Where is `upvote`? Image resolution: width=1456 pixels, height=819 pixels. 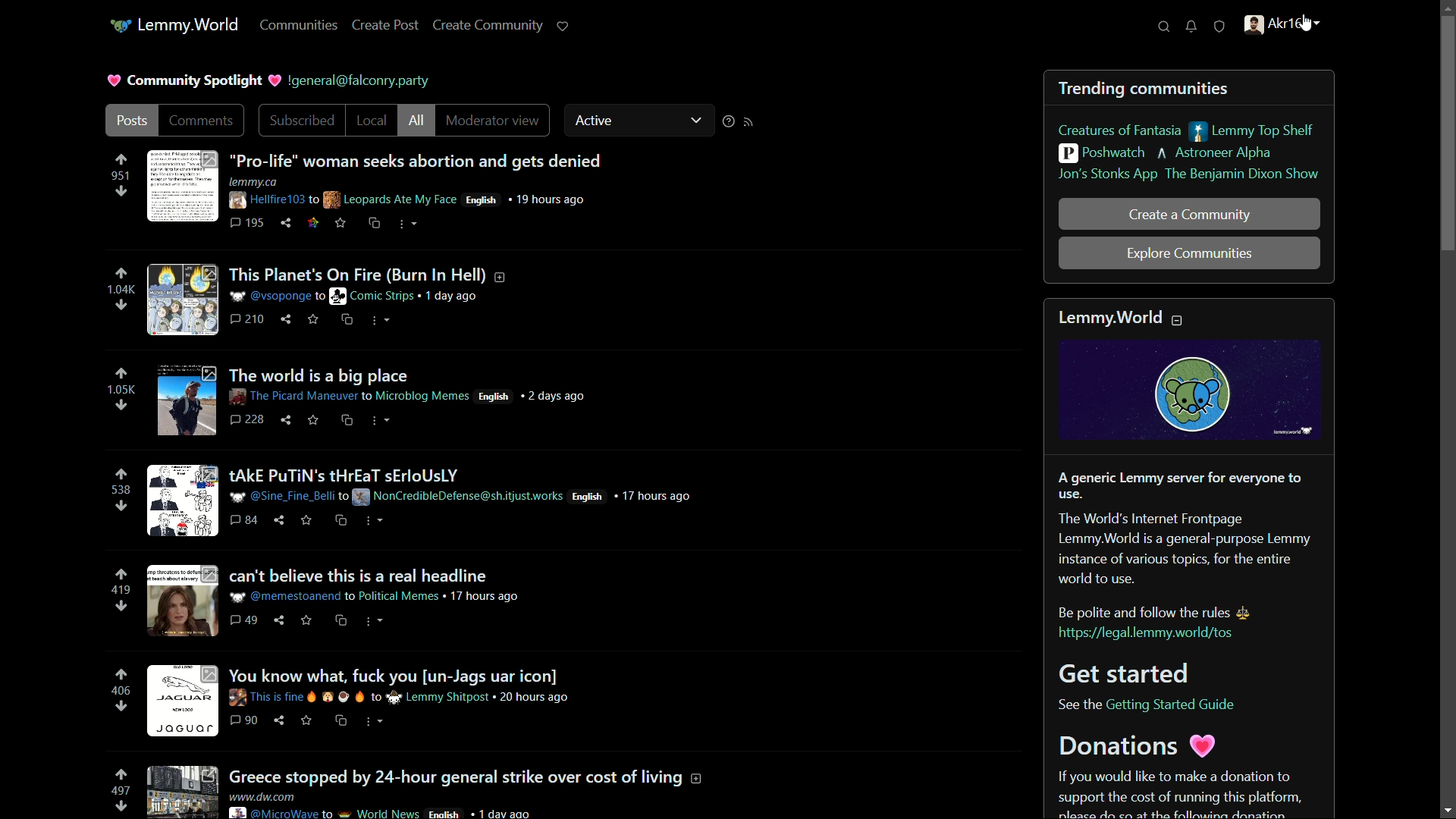
upvote is located at coordinates (124, 675).